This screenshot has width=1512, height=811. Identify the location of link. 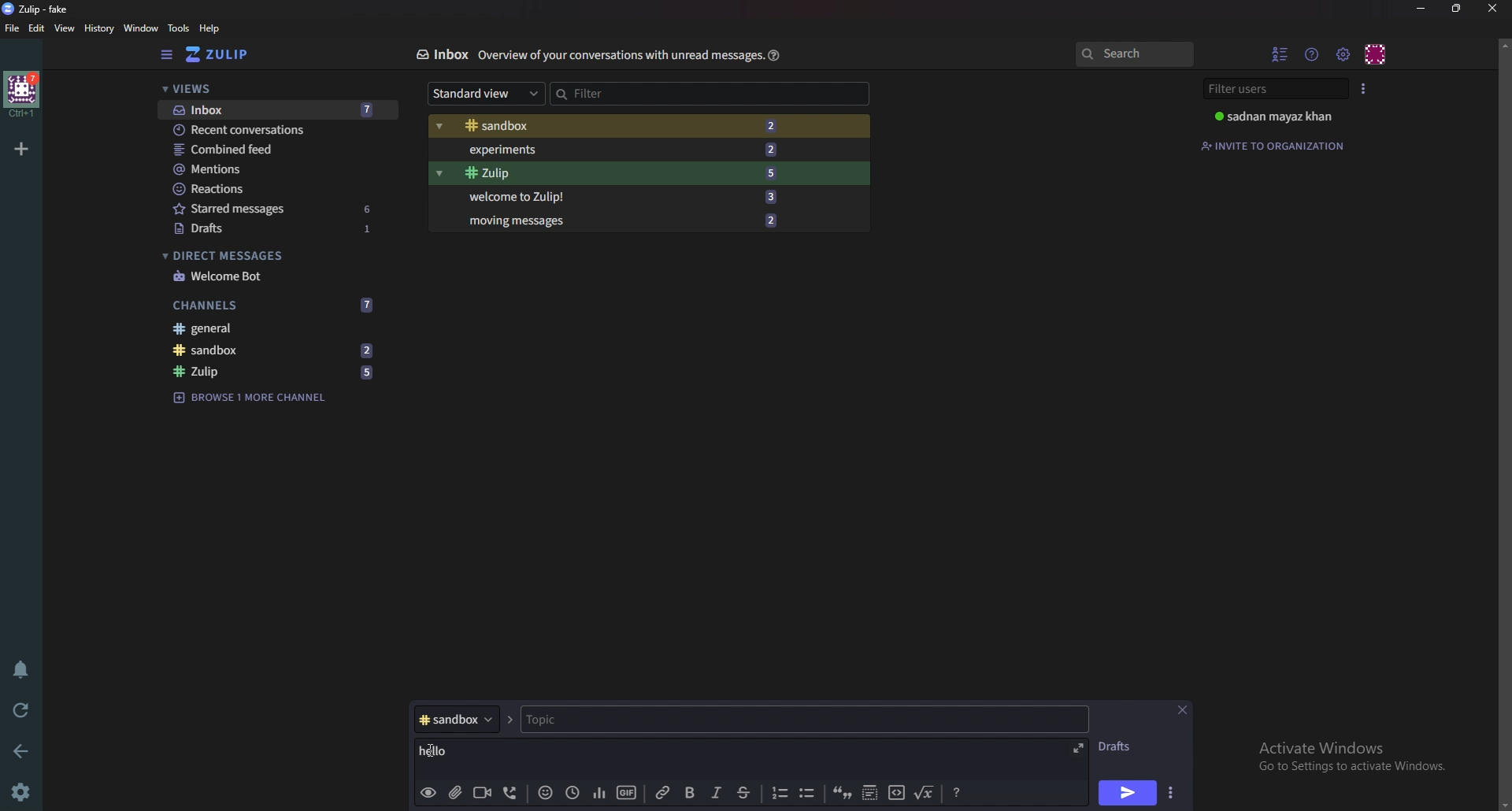
(663, 794).